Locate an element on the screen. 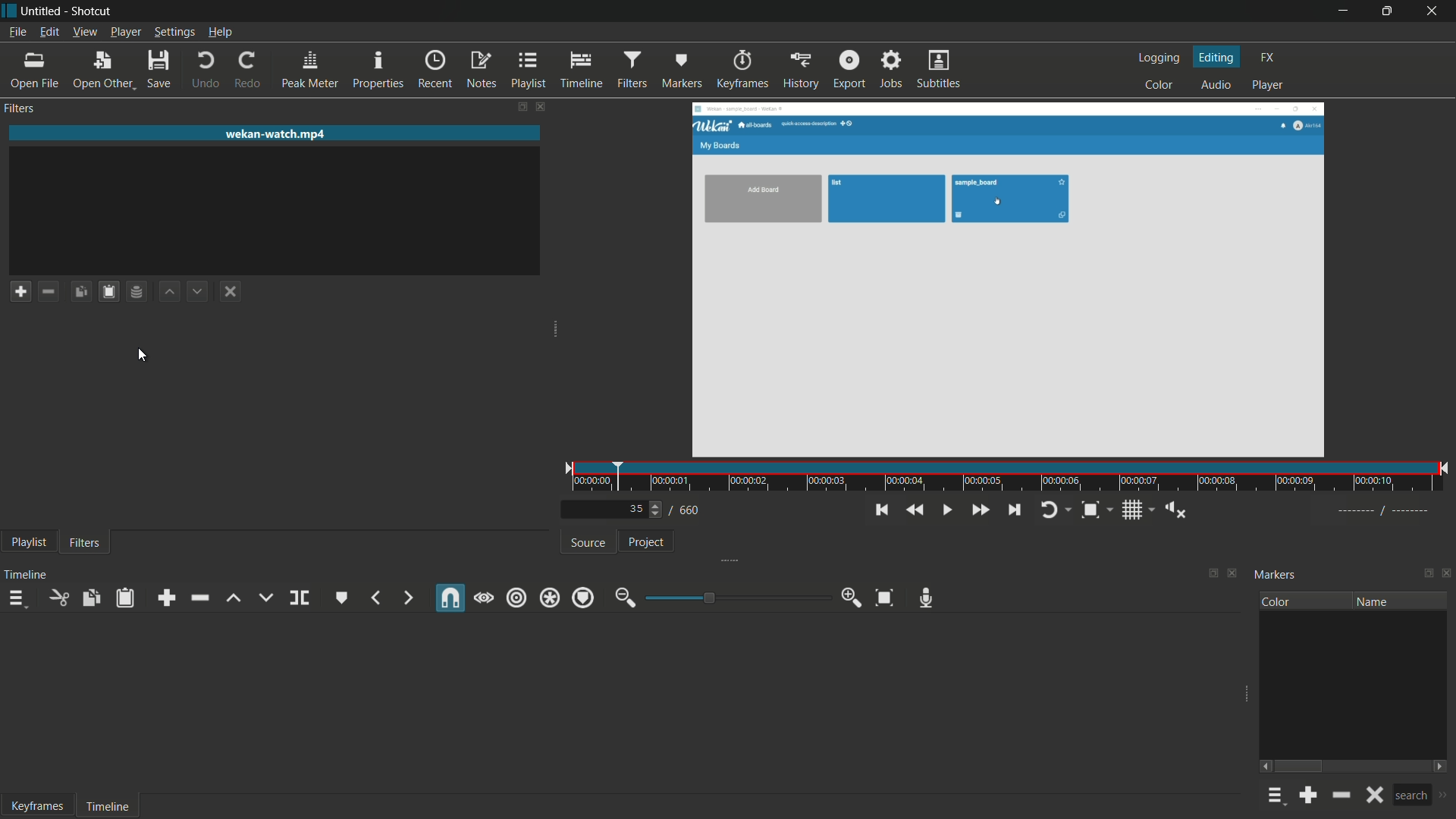 This screenshot has height=819, width=1456. timeline is located at coordinates (28, 575).